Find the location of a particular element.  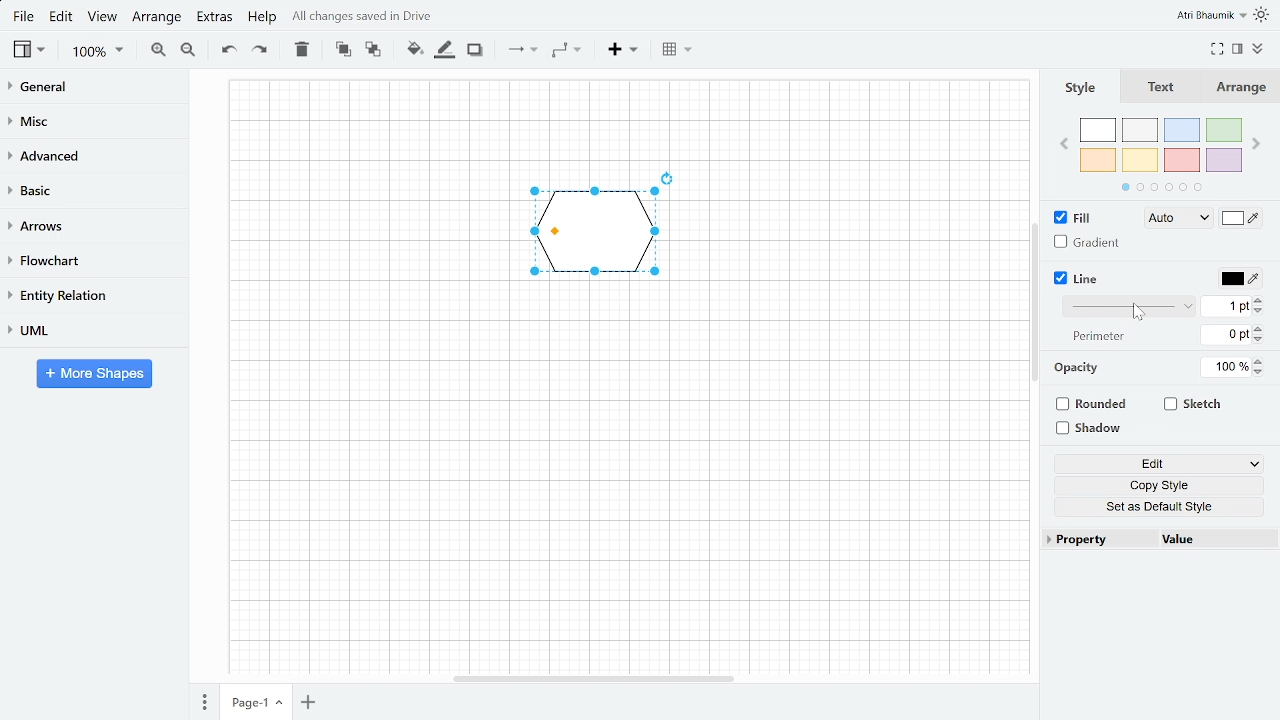

Edit is located at coordinates (61, 19).